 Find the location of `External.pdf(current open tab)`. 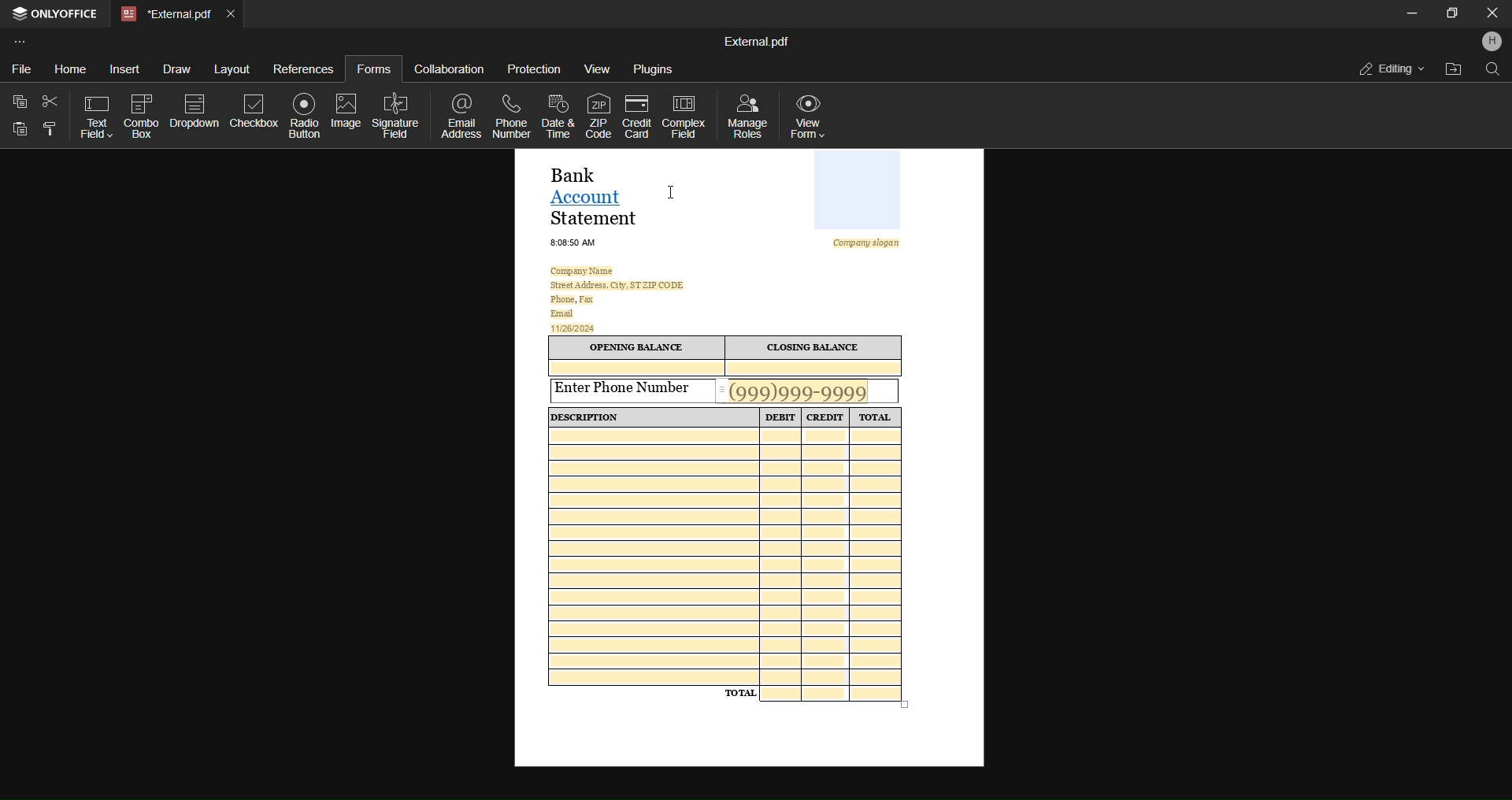

External.pdf(current open tab) is located at coordinates (164, 15).